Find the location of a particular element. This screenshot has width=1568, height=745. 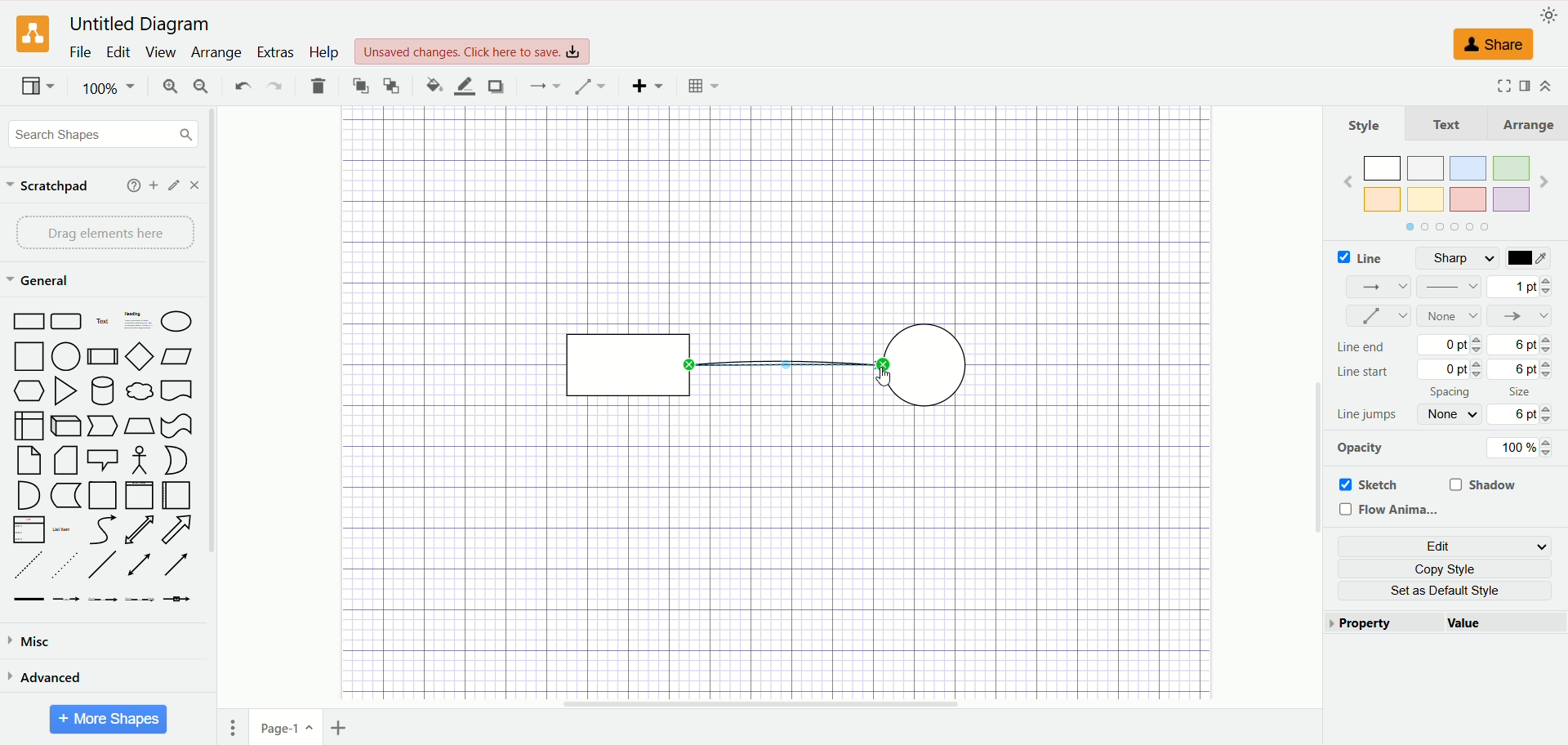

Vertical Page is located at coordinates (140, 495).